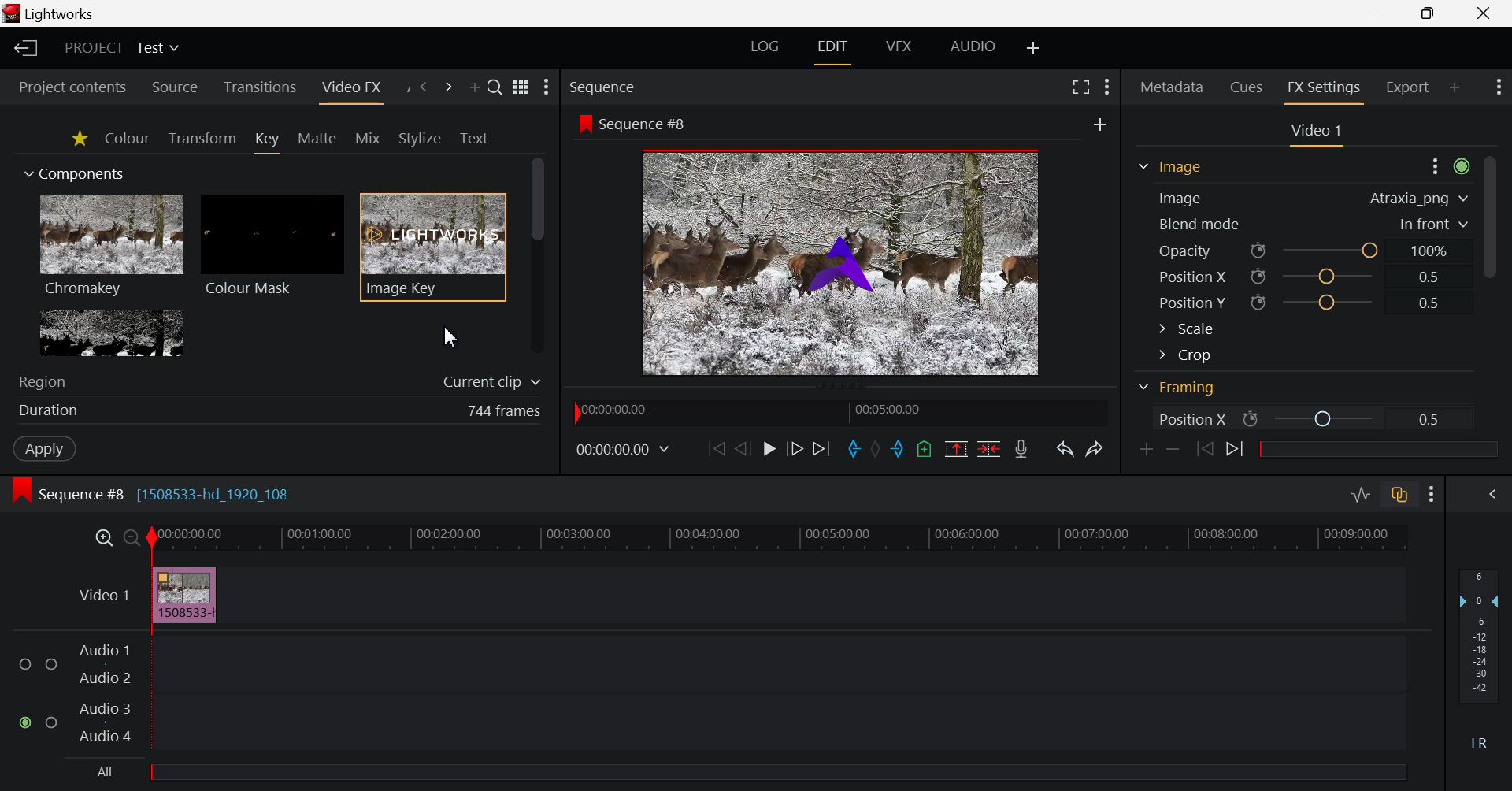 This screenshot has height=791, width=1512. What do you see at coordinates (454, 336) in the screenshot?
I see `Cursor Position AFTER_LAST_ACTION` at bounding box center [454, 336].